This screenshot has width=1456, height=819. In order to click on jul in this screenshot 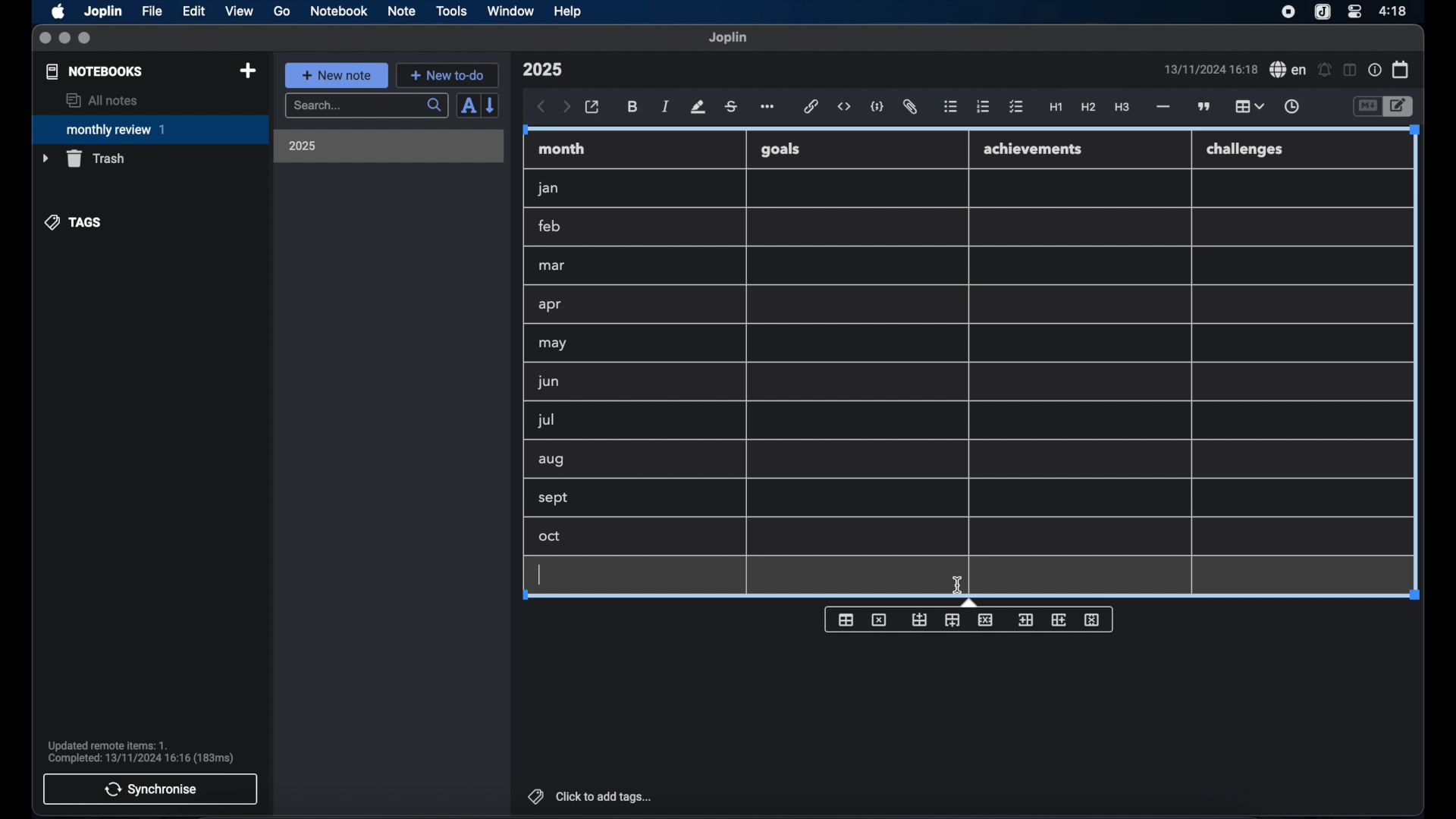, I will do `click(544, 421)`.